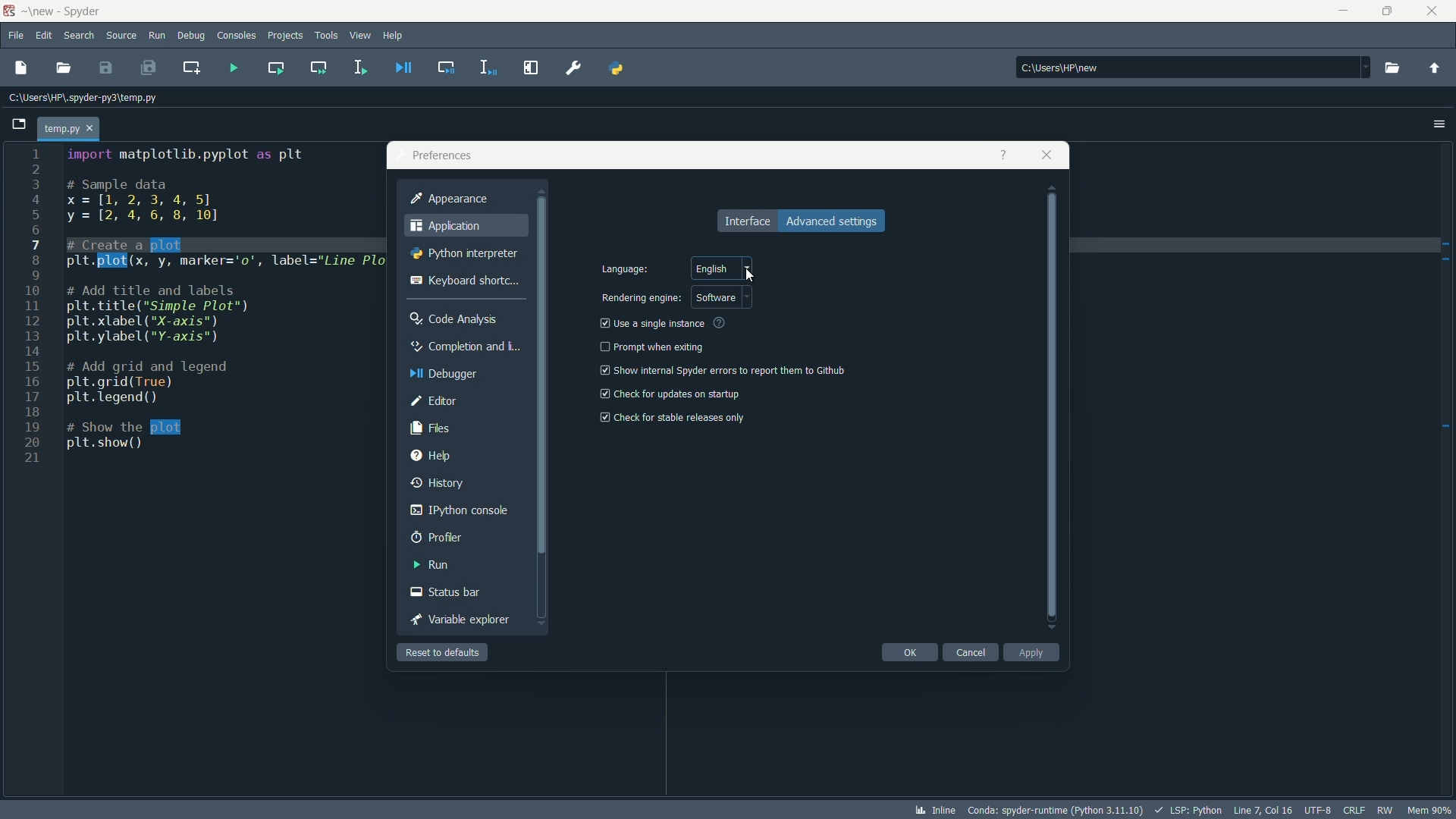 Image resolution: width=1456 pixels, height=819 pixels. What do you see at coordinates (234, 67) in the screenshot?
I see `run file` at bounding box center [234, 67].